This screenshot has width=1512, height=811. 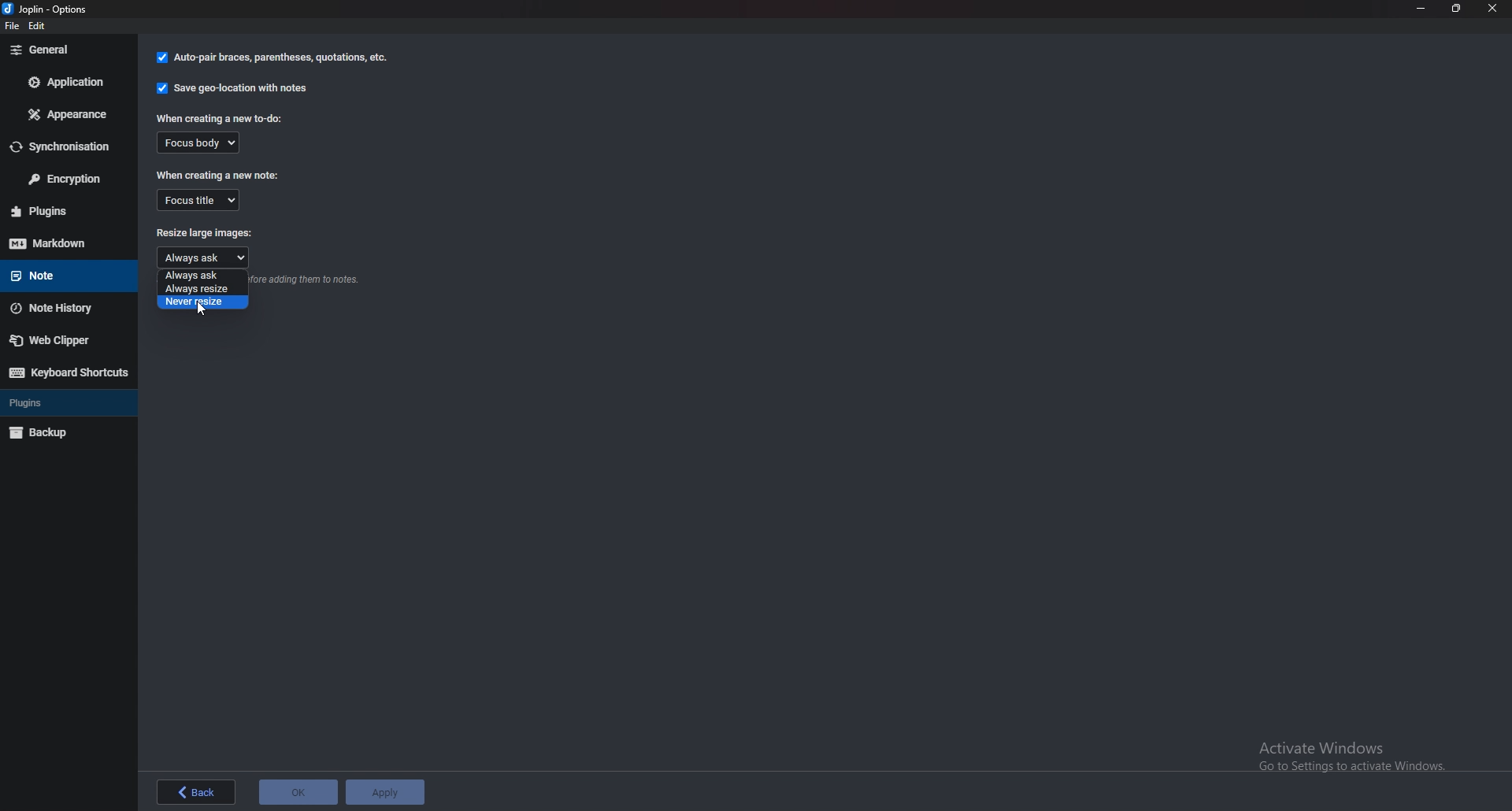 What do you see at coordinates (202, 289) in the screenshot?
I see `Always resize` at bounding box center [202, 289].